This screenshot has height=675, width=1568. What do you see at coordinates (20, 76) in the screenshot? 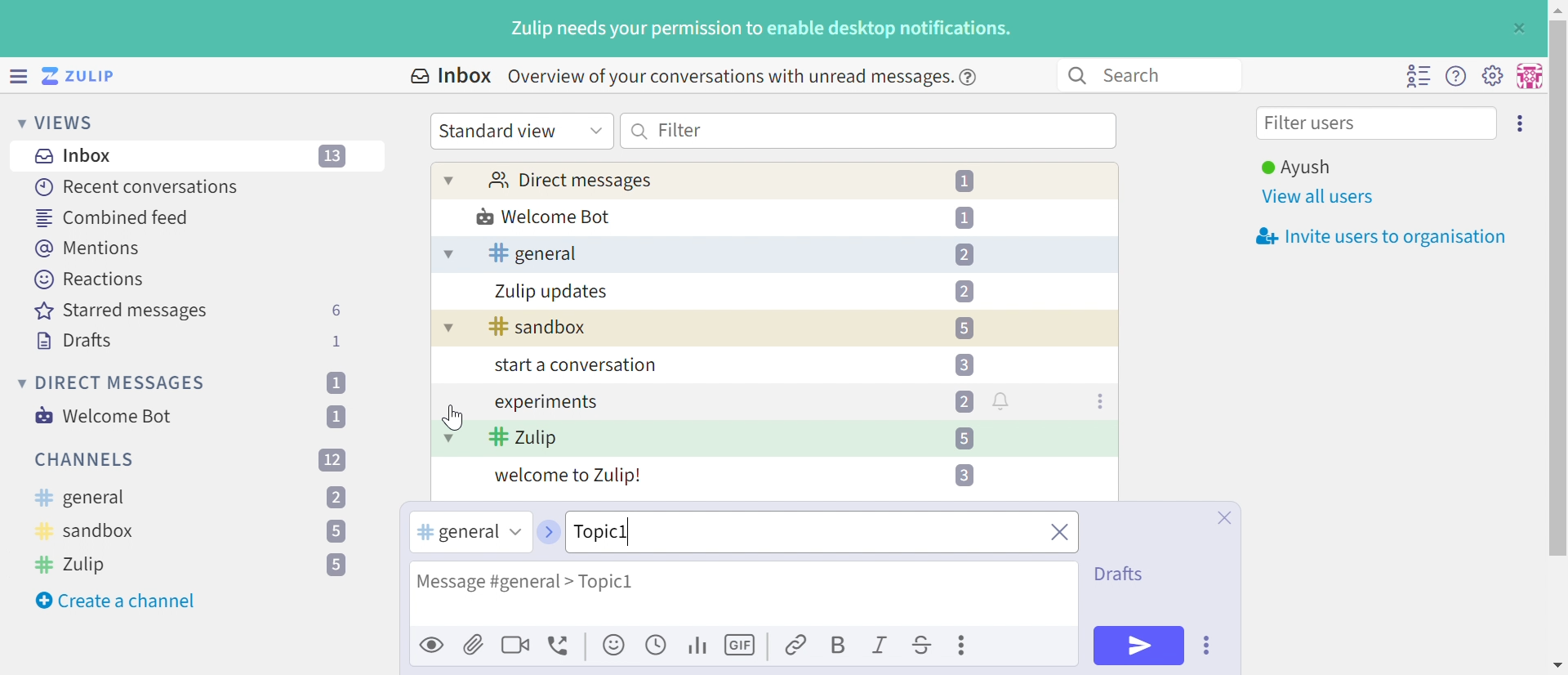
I see `Hide left sidebar` at bounding box center [20, 76].